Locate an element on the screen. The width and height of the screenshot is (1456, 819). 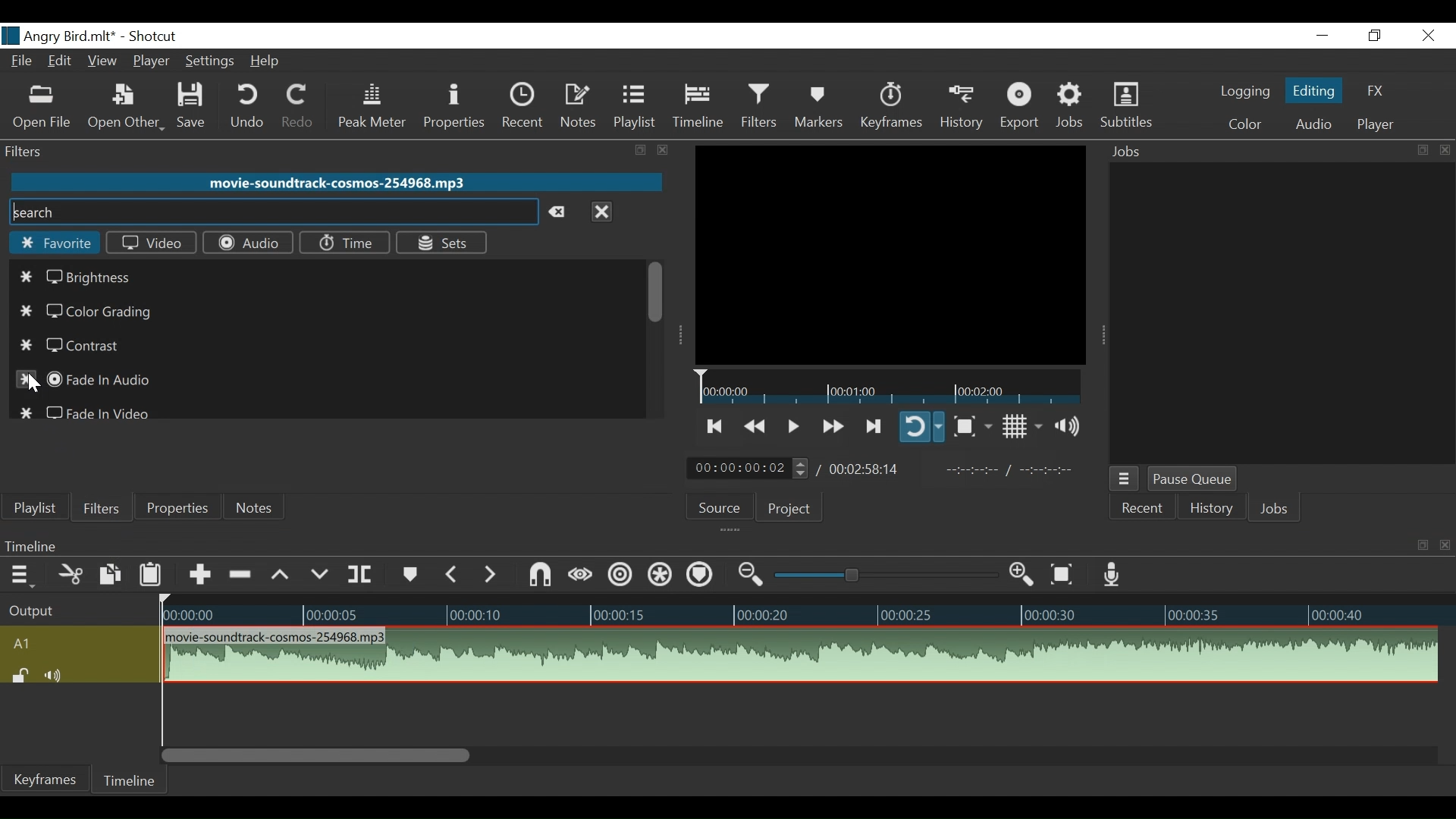
Show volume control is located at coordinates (1071, 428).